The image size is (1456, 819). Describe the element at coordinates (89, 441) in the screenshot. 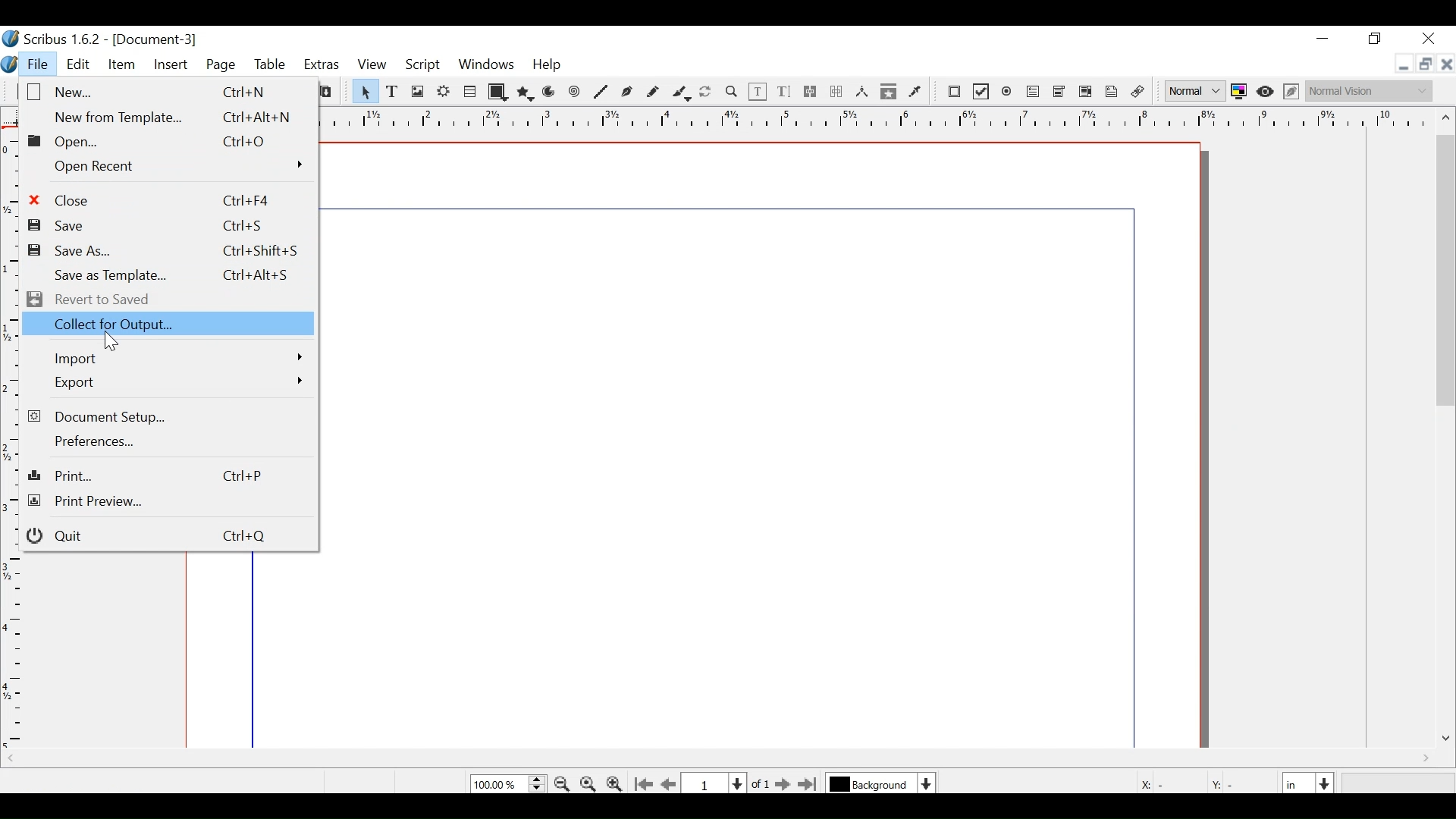

I see `Preferences` at that location.